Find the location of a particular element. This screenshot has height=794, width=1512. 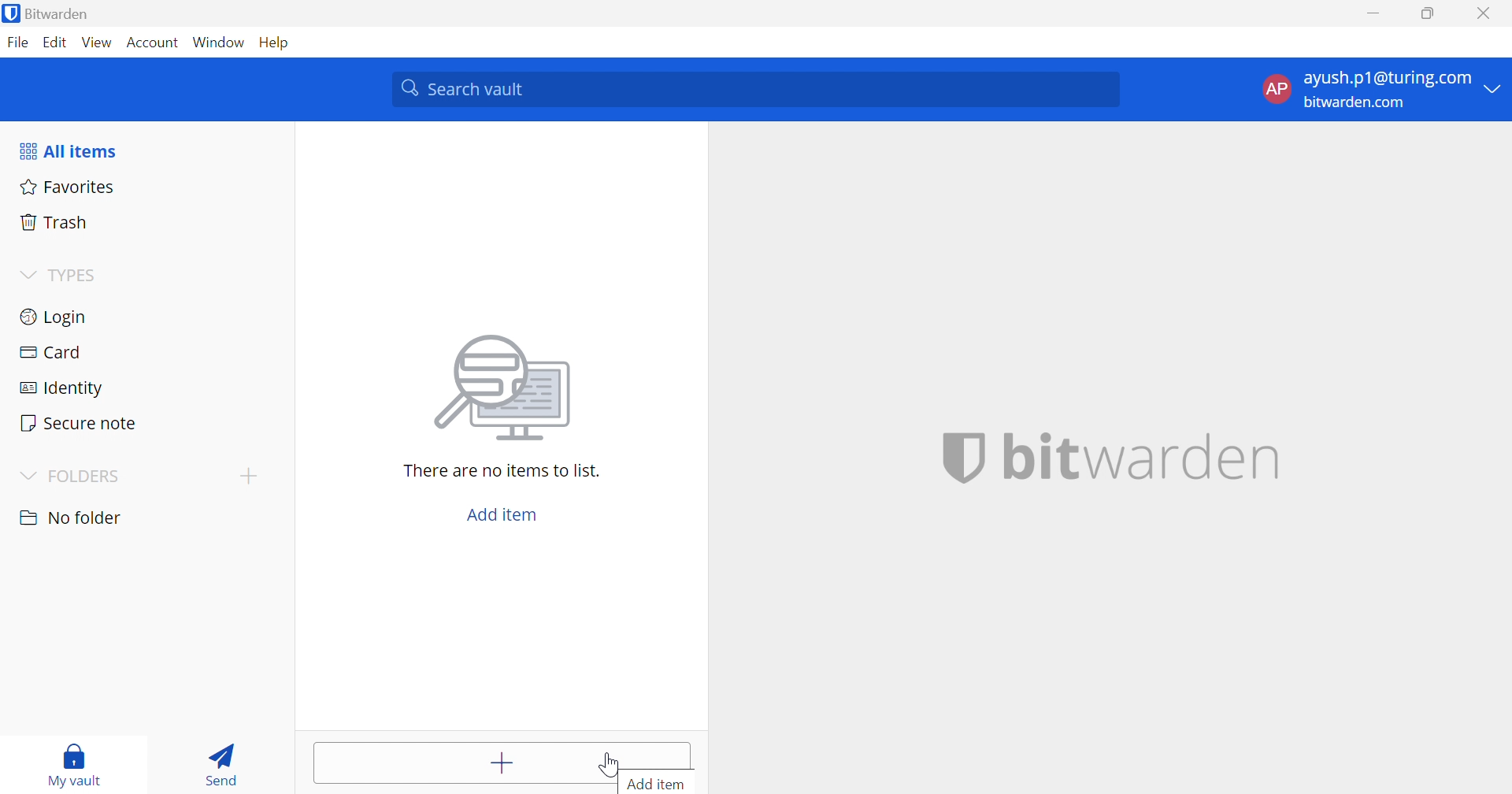

Drop Down is located at coordinates (1497, 87).